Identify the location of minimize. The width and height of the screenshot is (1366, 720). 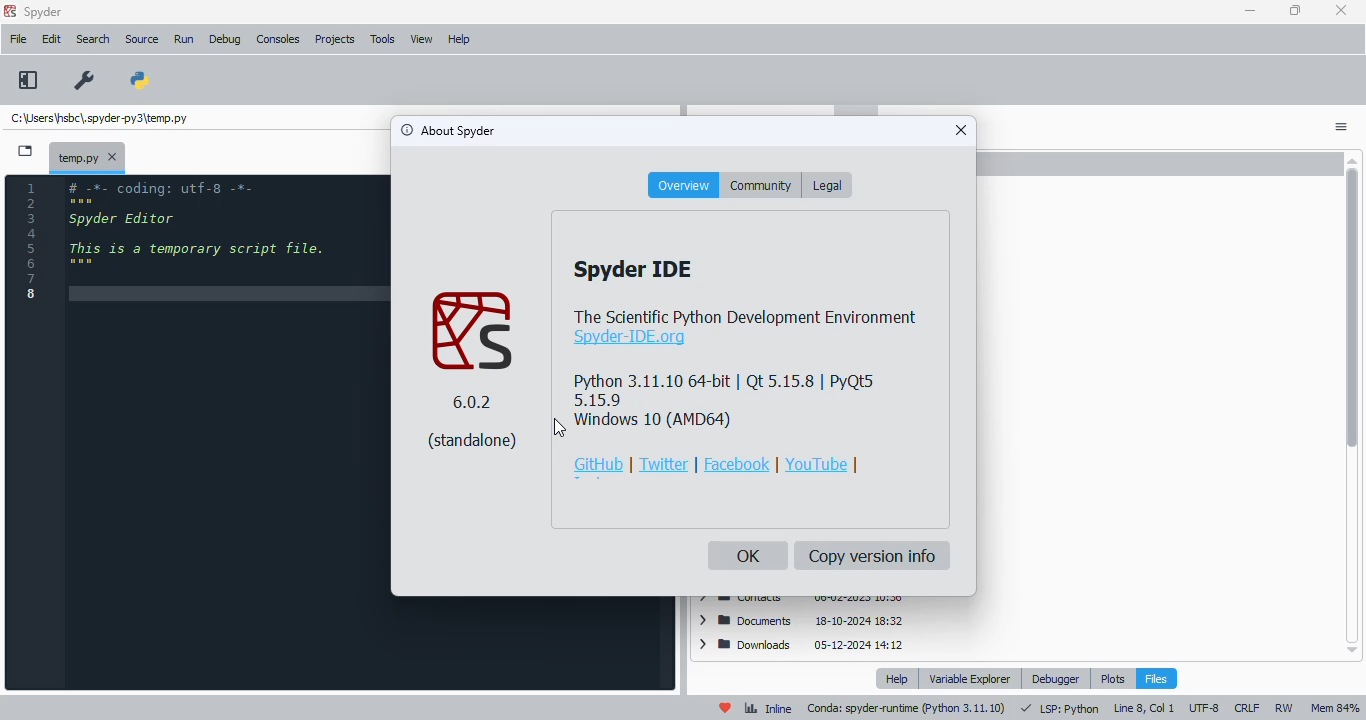
(2367, 24).